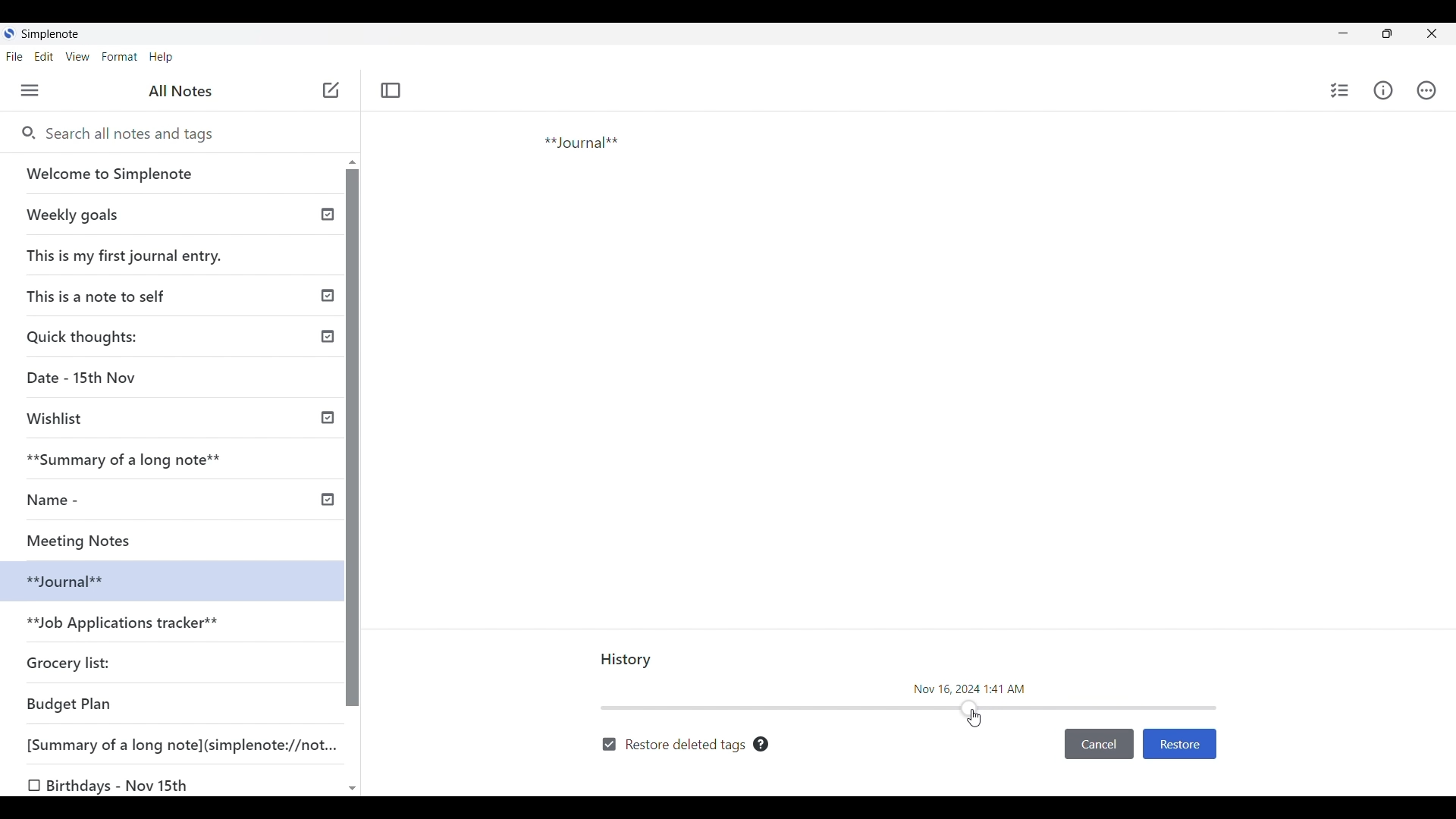 This screenshot has width=1456, height=819. What do you see at coordinates (189, 134) in the screenshot?
I see `Search all notes and tags` at bounding box center [189, 134].